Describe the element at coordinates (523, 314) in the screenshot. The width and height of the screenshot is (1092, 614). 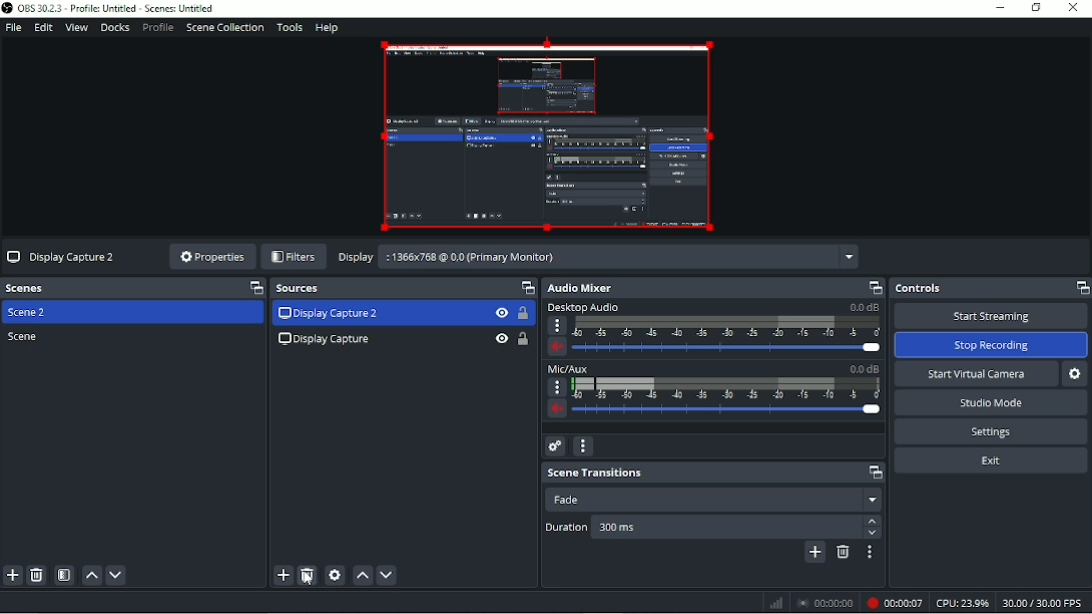
I see `Lock` at that location.